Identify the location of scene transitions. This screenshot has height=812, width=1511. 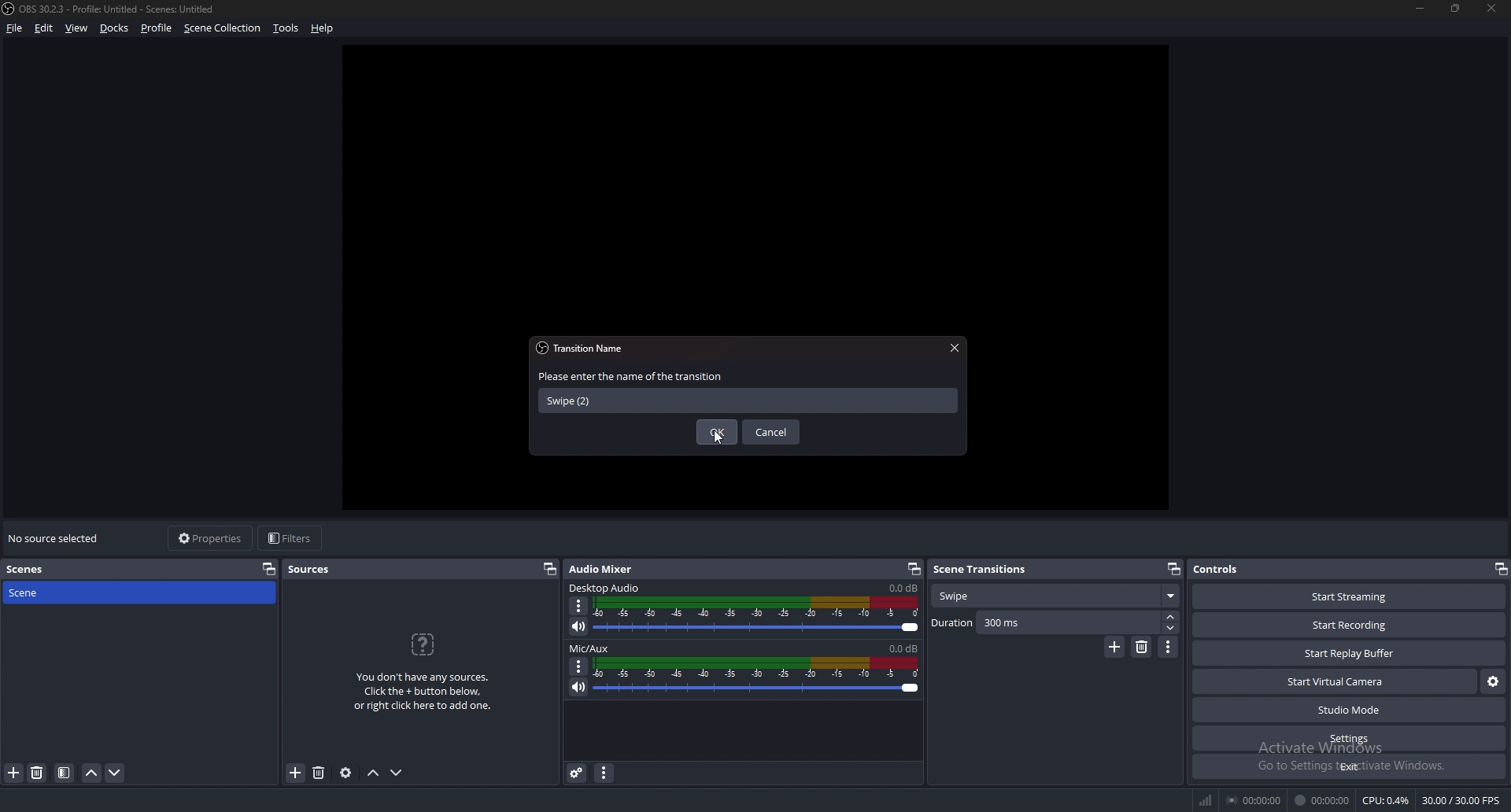
(982, 570).